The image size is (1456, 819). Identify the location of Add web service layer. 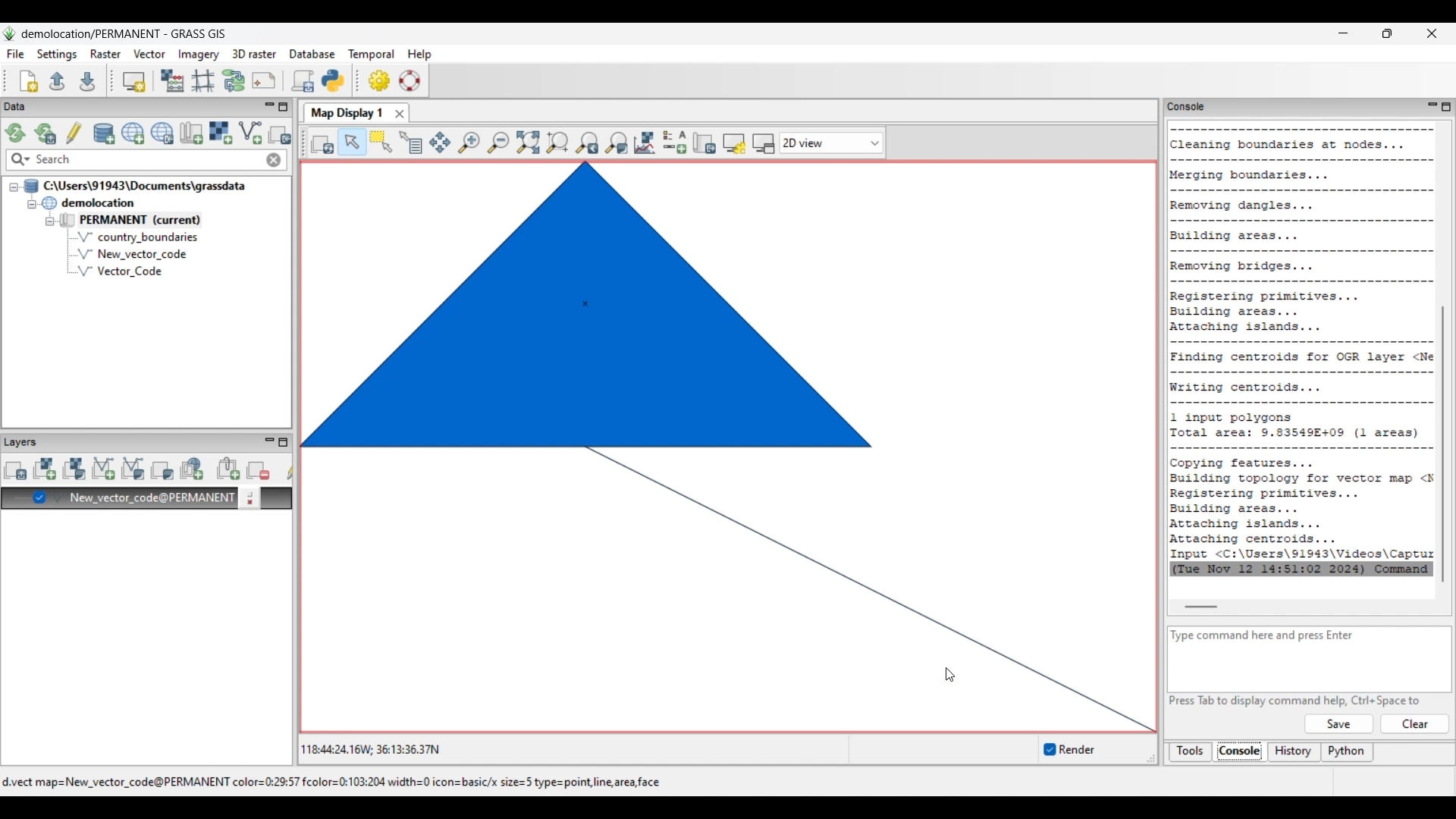
(192, 469).